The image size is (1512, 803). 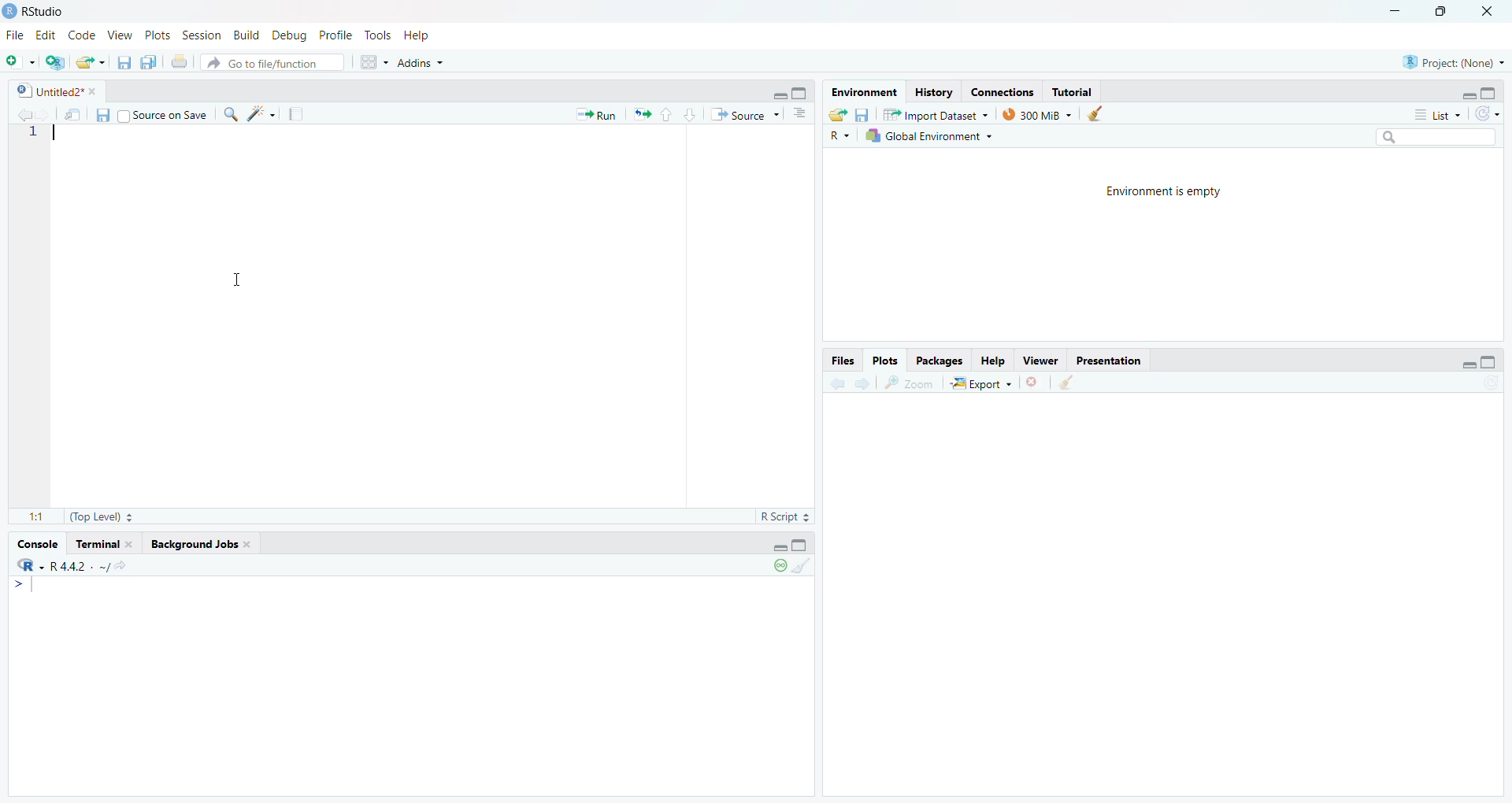 What do you see at coordinates (1069, 383) in the screenshot?
I see `clear all plots` at bounding box center [1069, 383].